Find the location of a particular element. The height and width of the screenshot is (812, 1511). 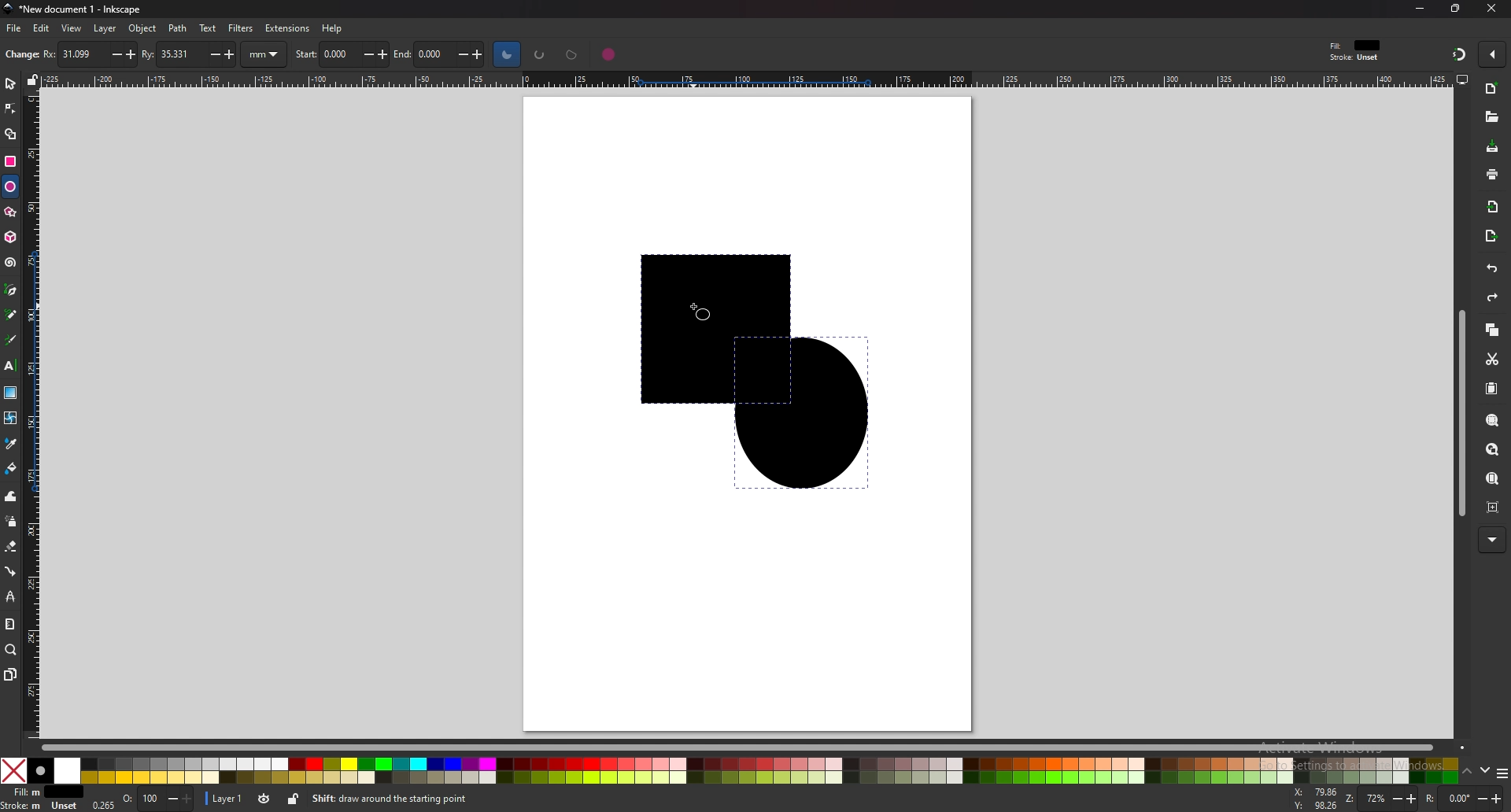

display options is located at coordinates (1461, 79).